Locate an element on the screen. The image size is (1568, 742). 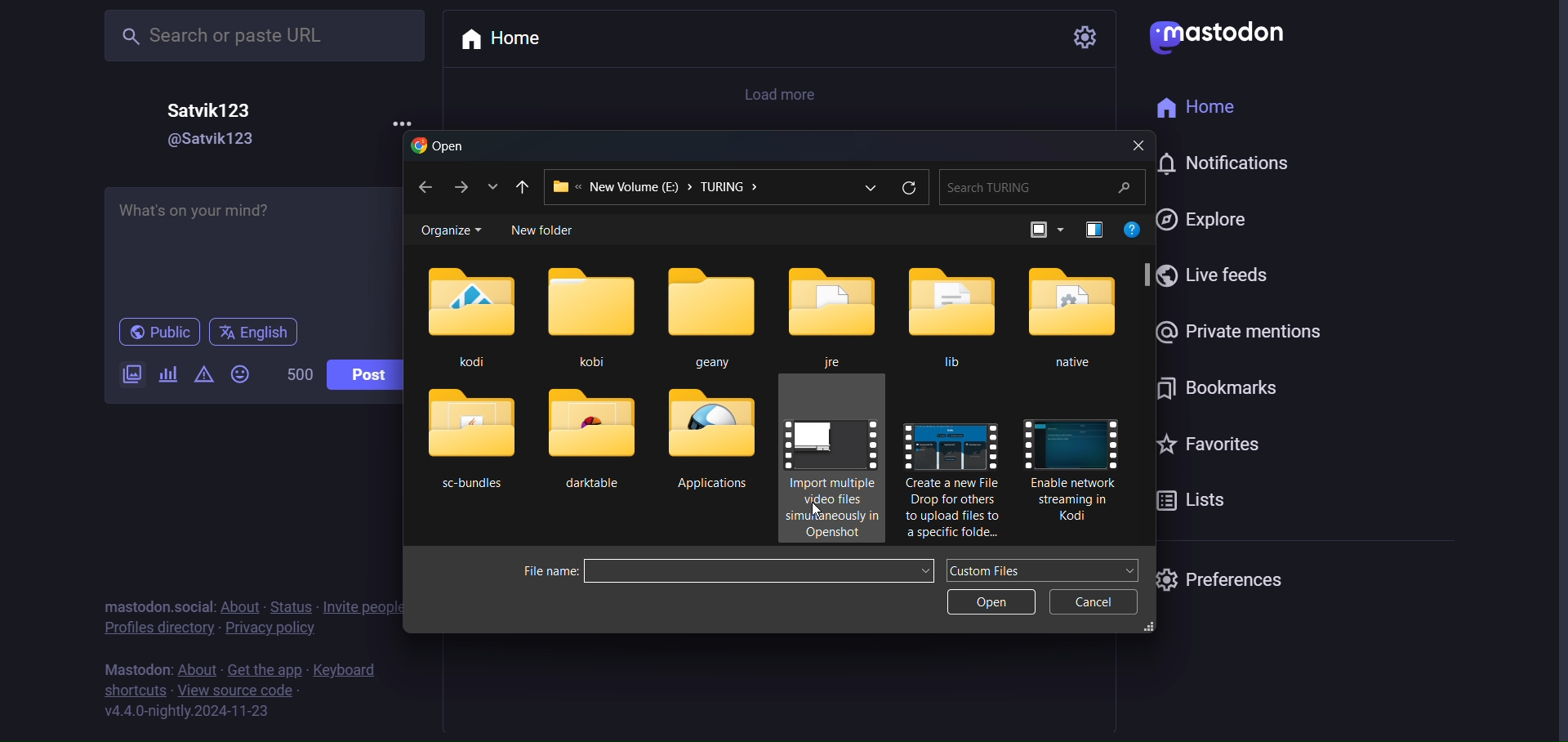
close dialog is located at coordinates (1135, 145).